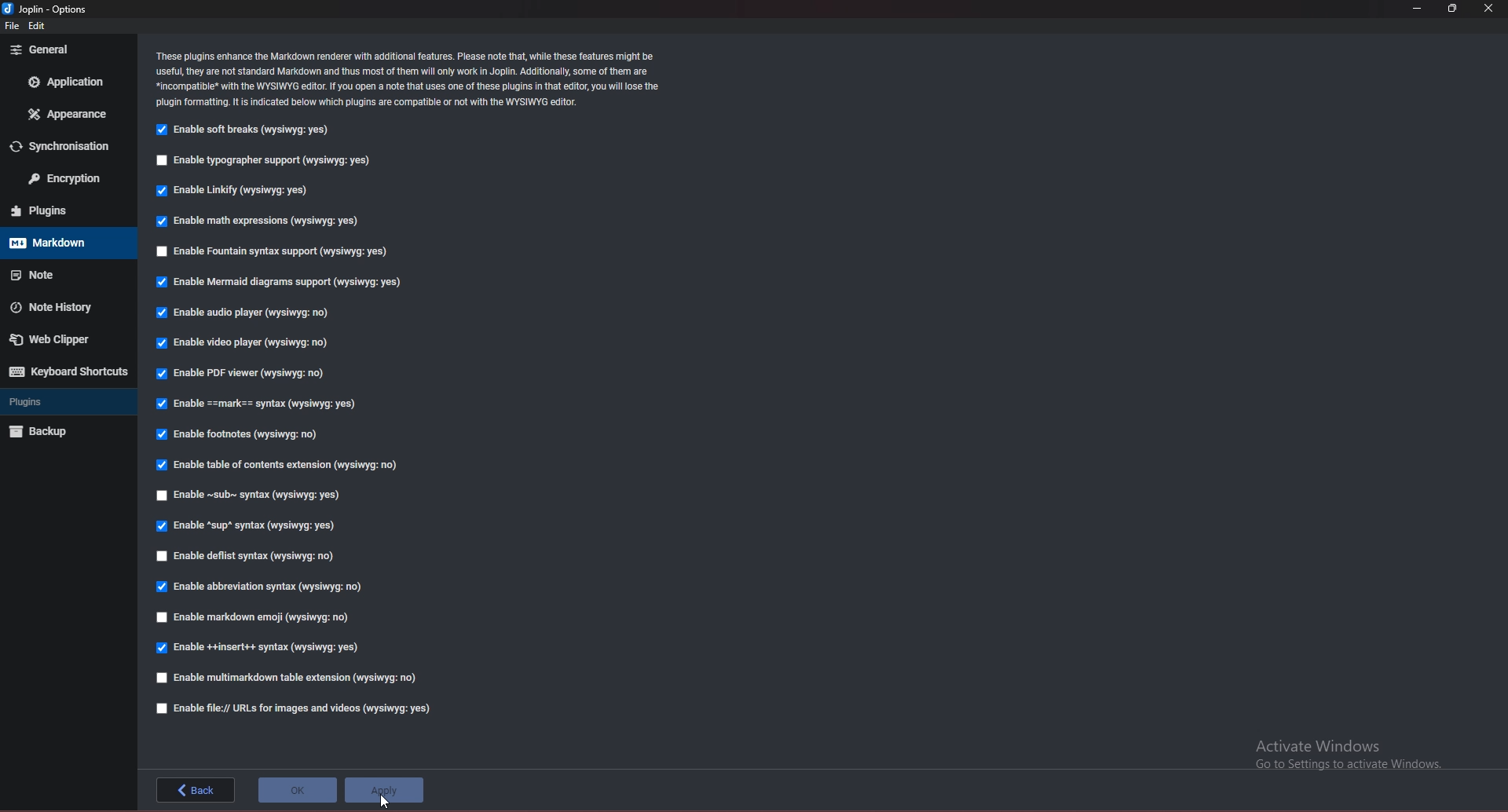 This screenshot has height=812, width=1508. I want to click on note, so click(64, 272).